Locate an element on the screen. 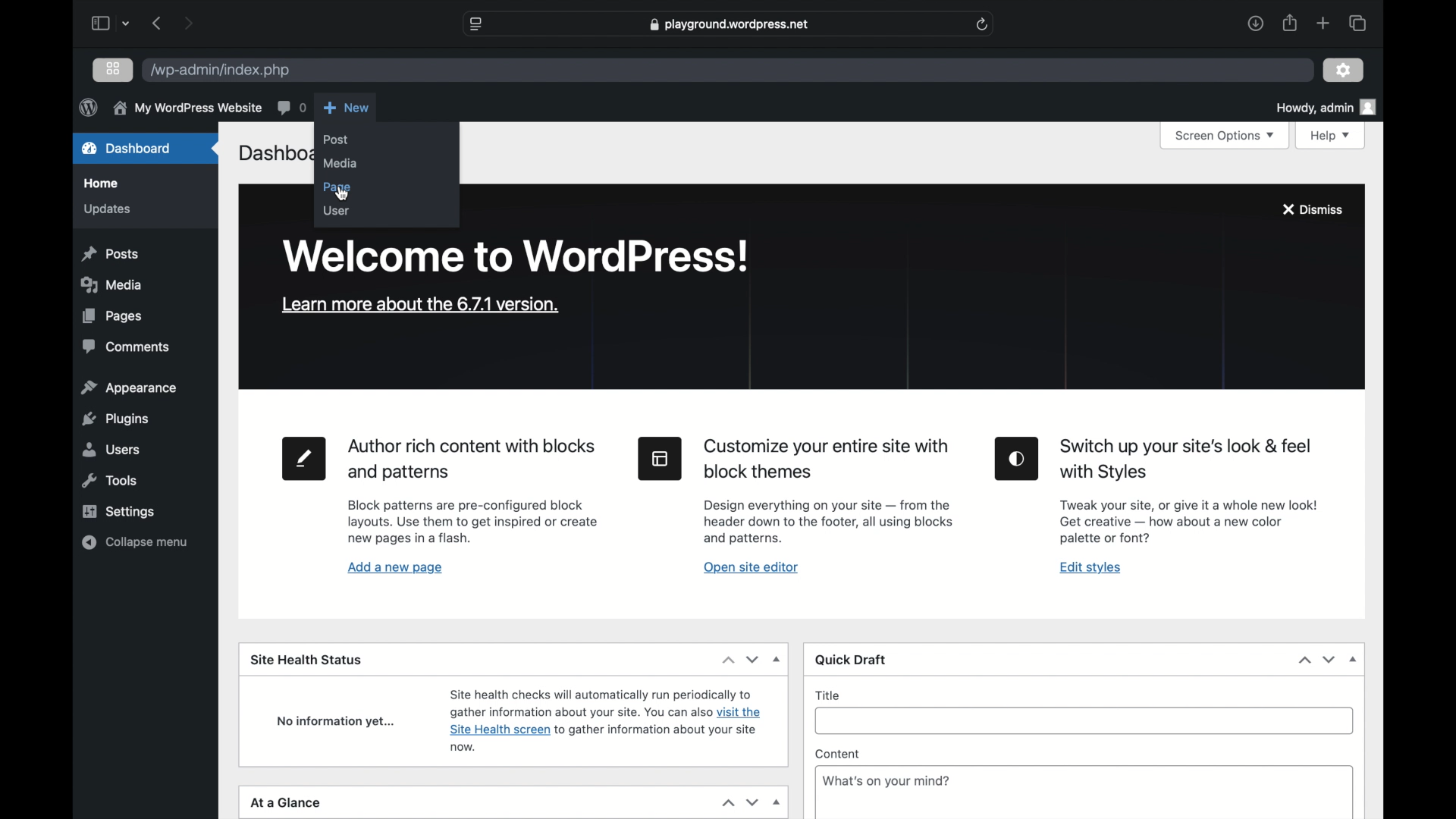  stepper buttons is located at coordinates (740, 802).